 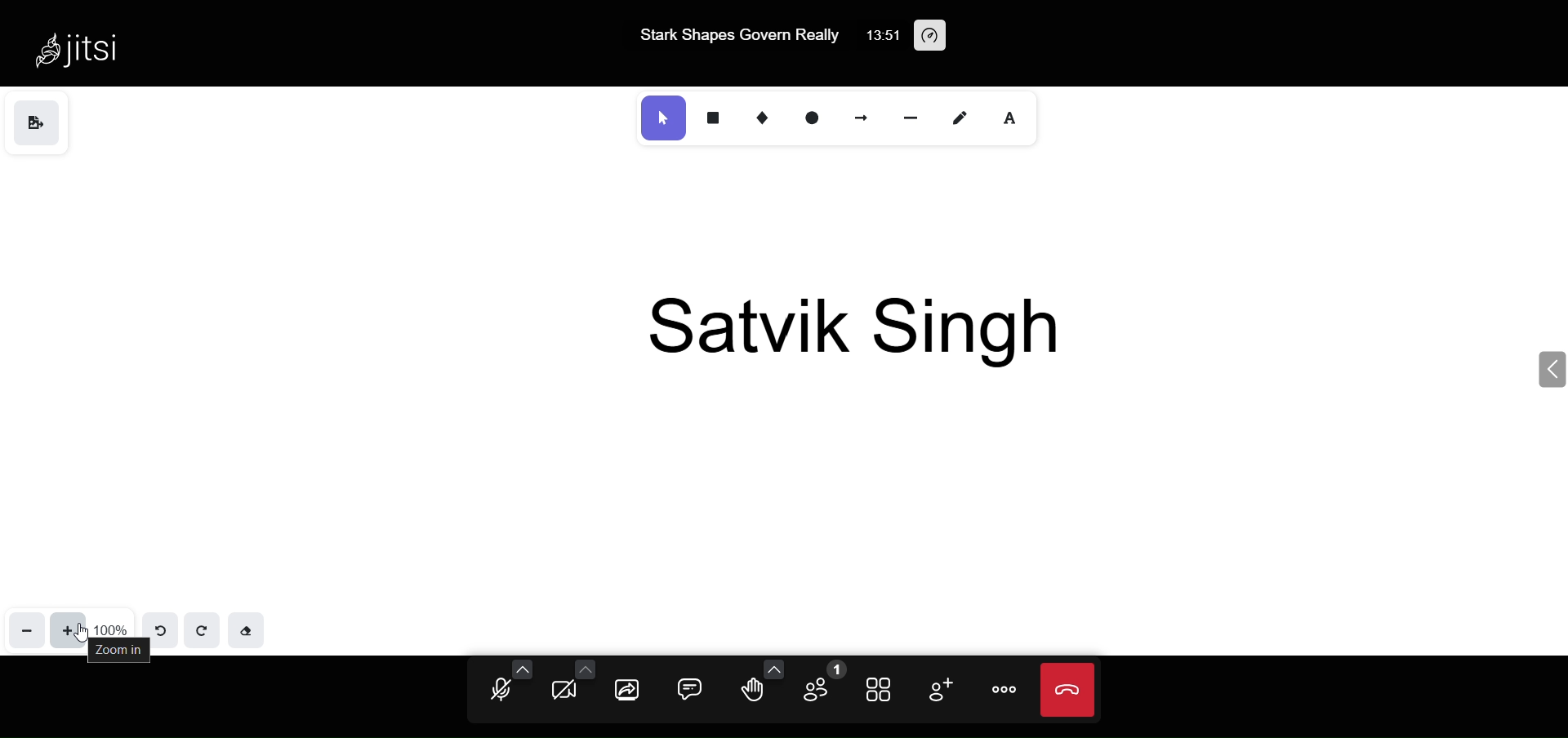 What do you see at coordinates (864, 115) in the screenshot?
I see `arrow` at bounding box center [864, 115].